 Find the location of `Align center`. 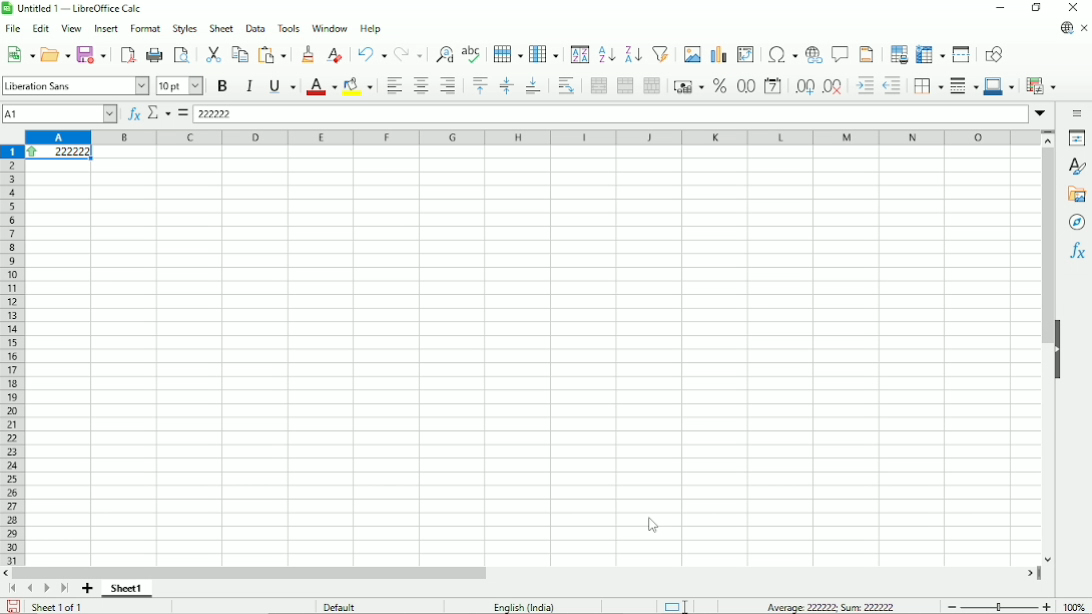

Align center is located at coordinates (420, 86).